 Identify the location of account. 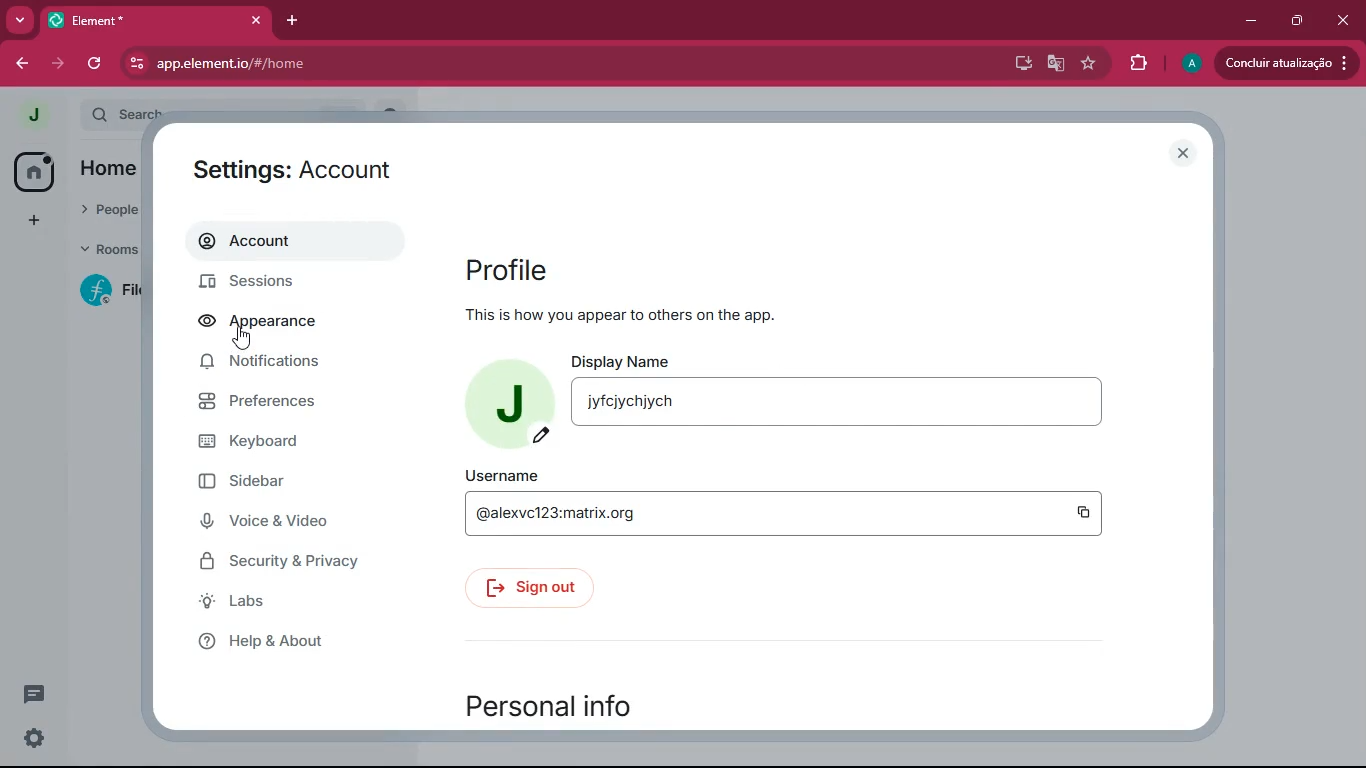
(286, 243).